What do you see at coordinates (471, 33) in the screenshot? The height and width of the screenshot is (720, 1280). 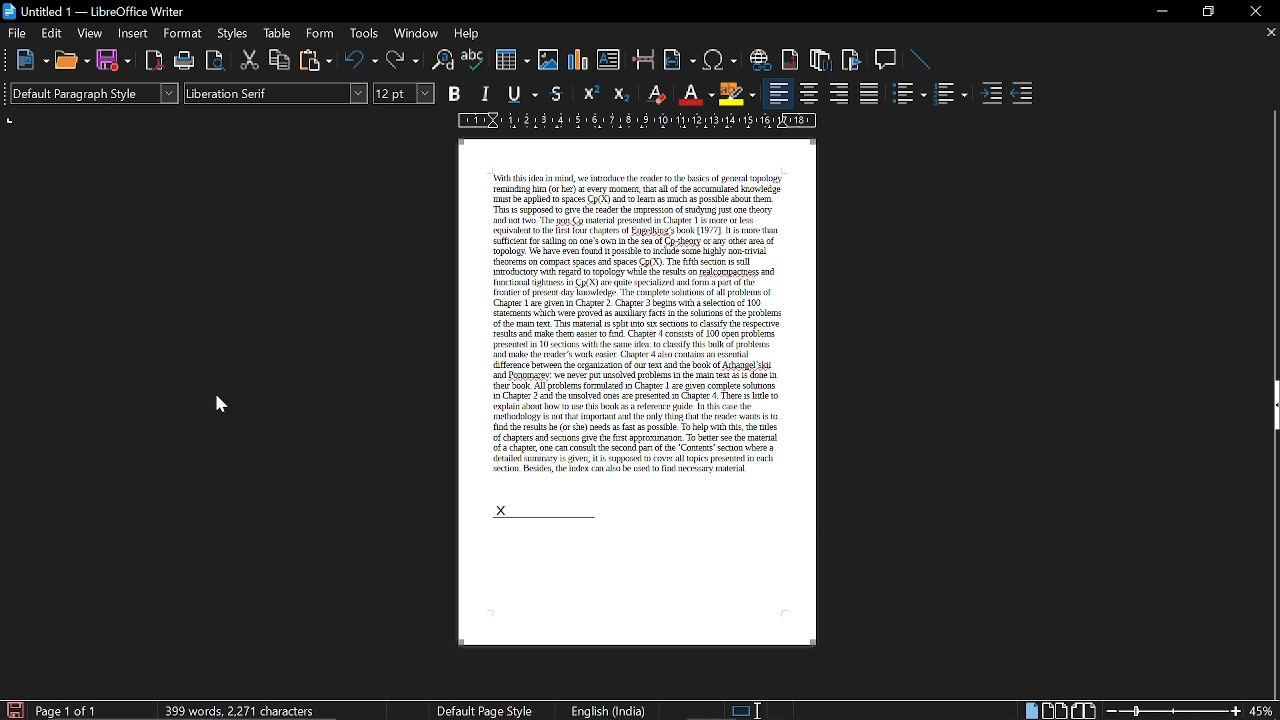 I see `help` at bounding box center [471, 33].